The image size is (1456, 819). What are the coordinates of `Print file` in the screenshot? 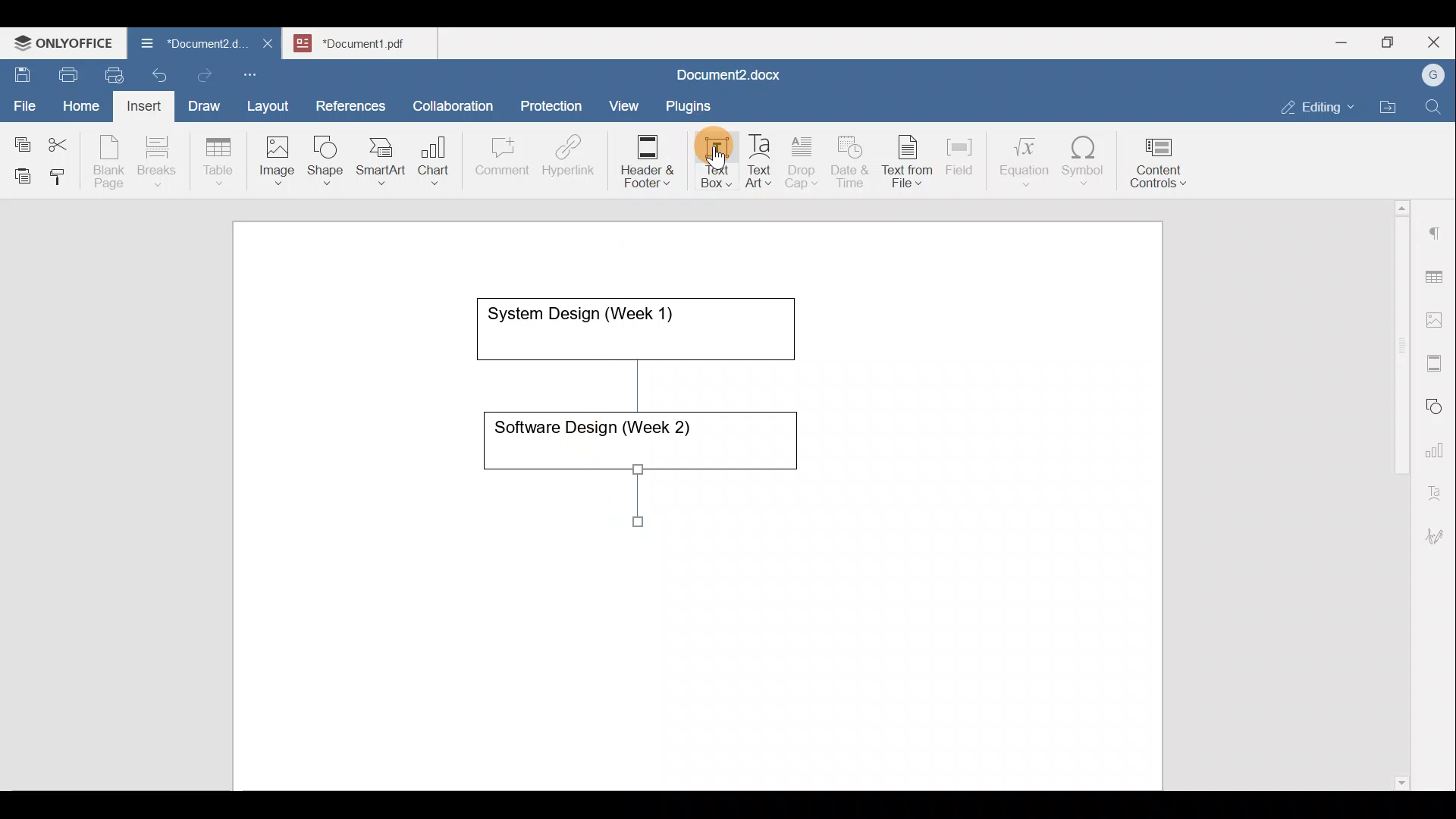 It's located at (65, 72).